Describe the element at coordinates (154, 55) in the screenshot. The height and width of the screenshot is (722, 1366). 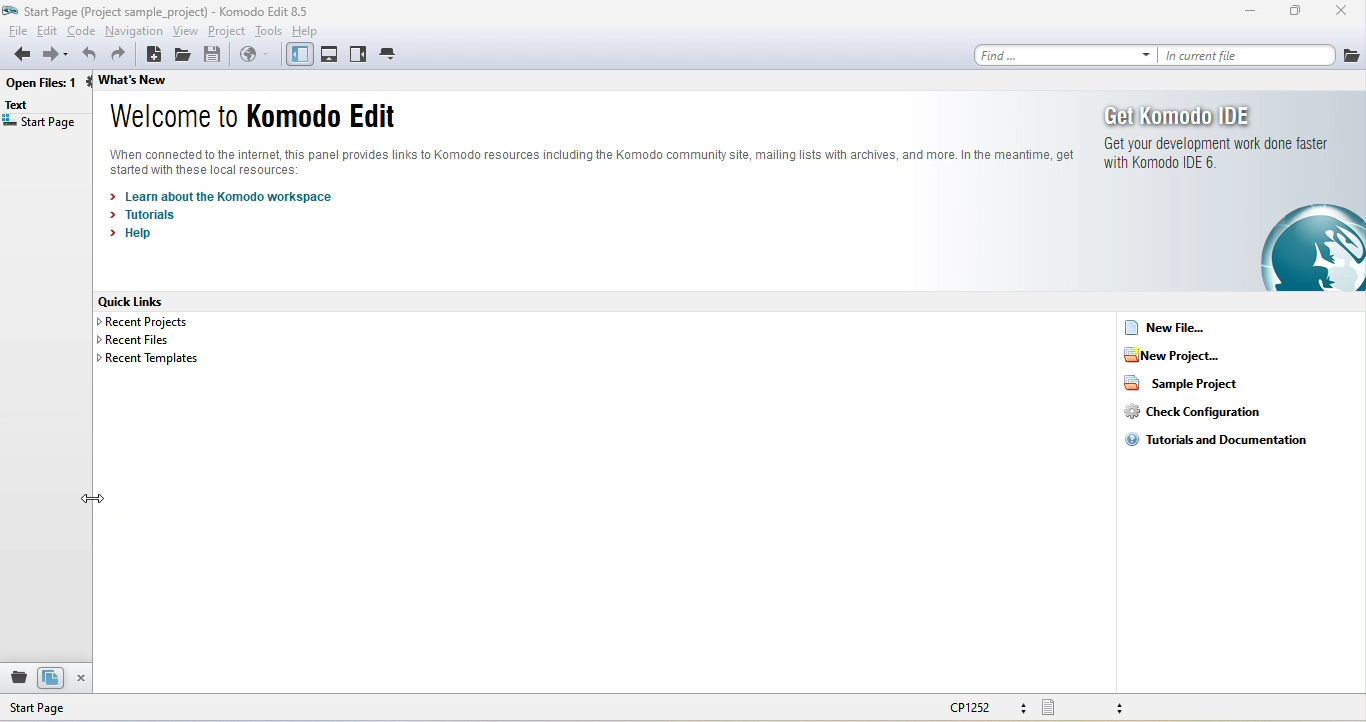
I see `new` at that location.